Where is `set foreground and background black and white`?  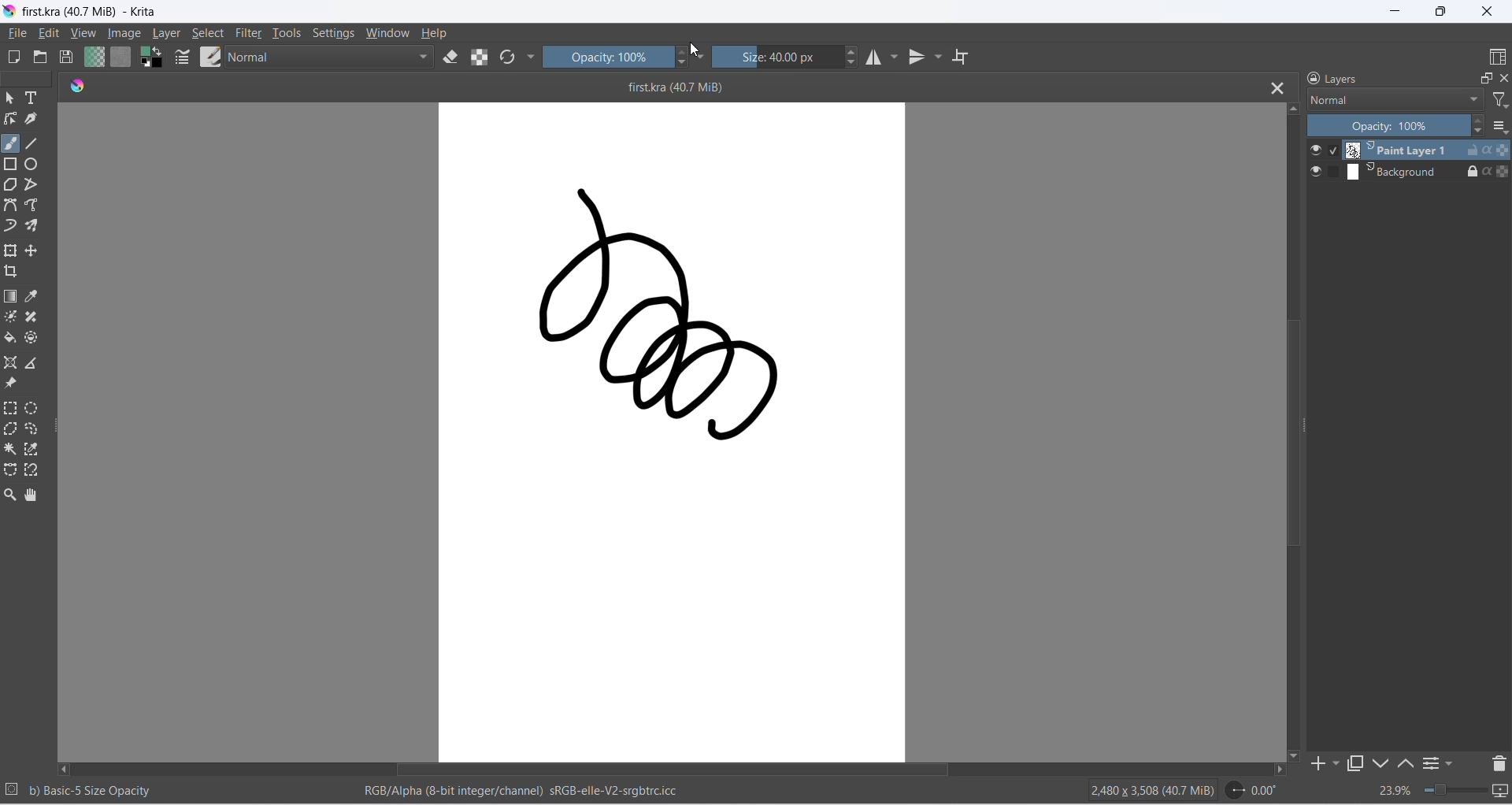 set foreground and background black and white is located at coordinates (152, 57).